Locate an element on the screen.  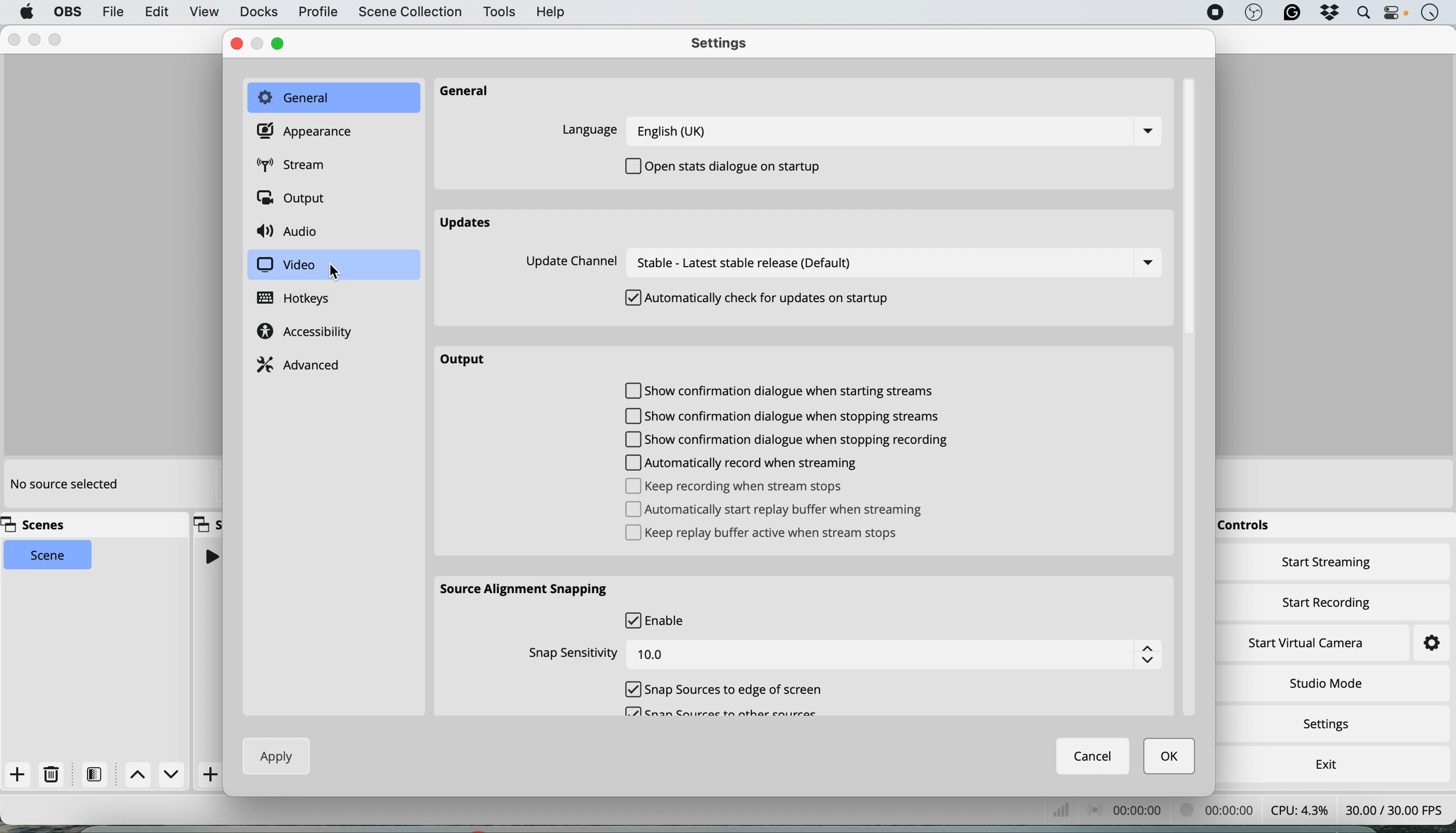
maximise is located at coordinates (284, 43).